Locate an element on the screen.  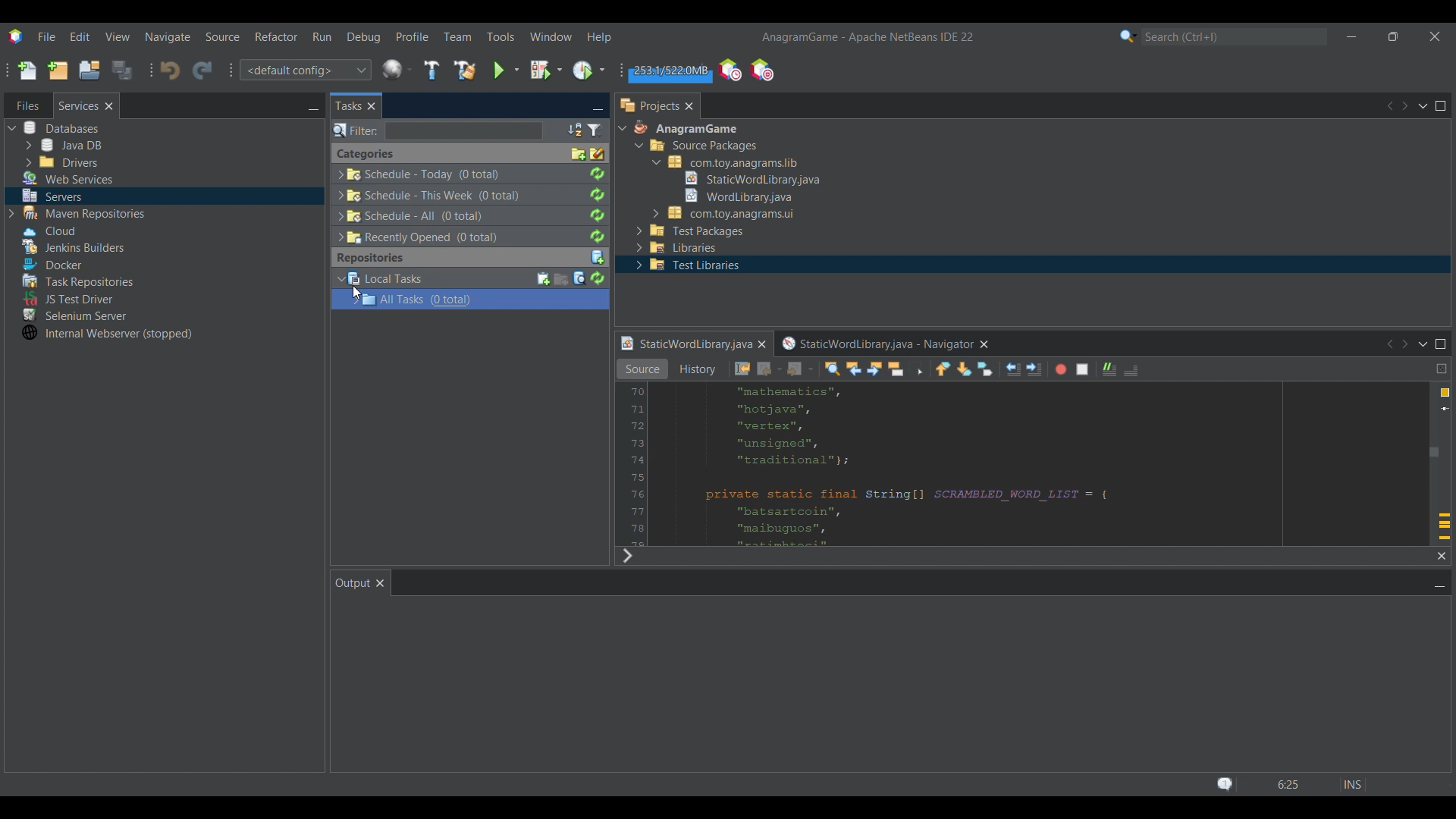
Minimize is located at coordinates (1352, 37).